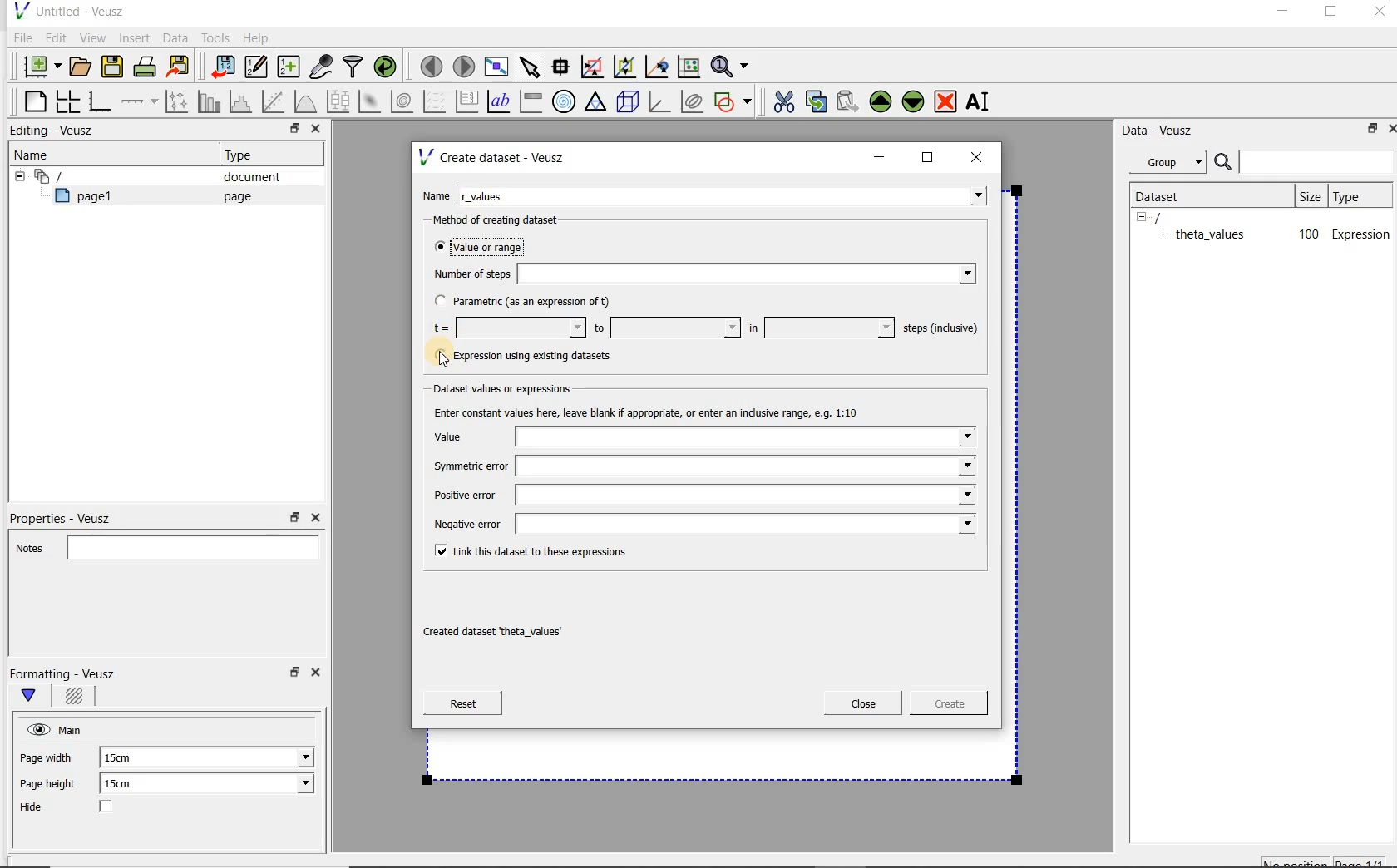 This screenshot has height=868, width=1397. What do you see at coordinates (941, 329) in the screenshot?
I see `steps (inclusive)` at bounding box center [941, 329].